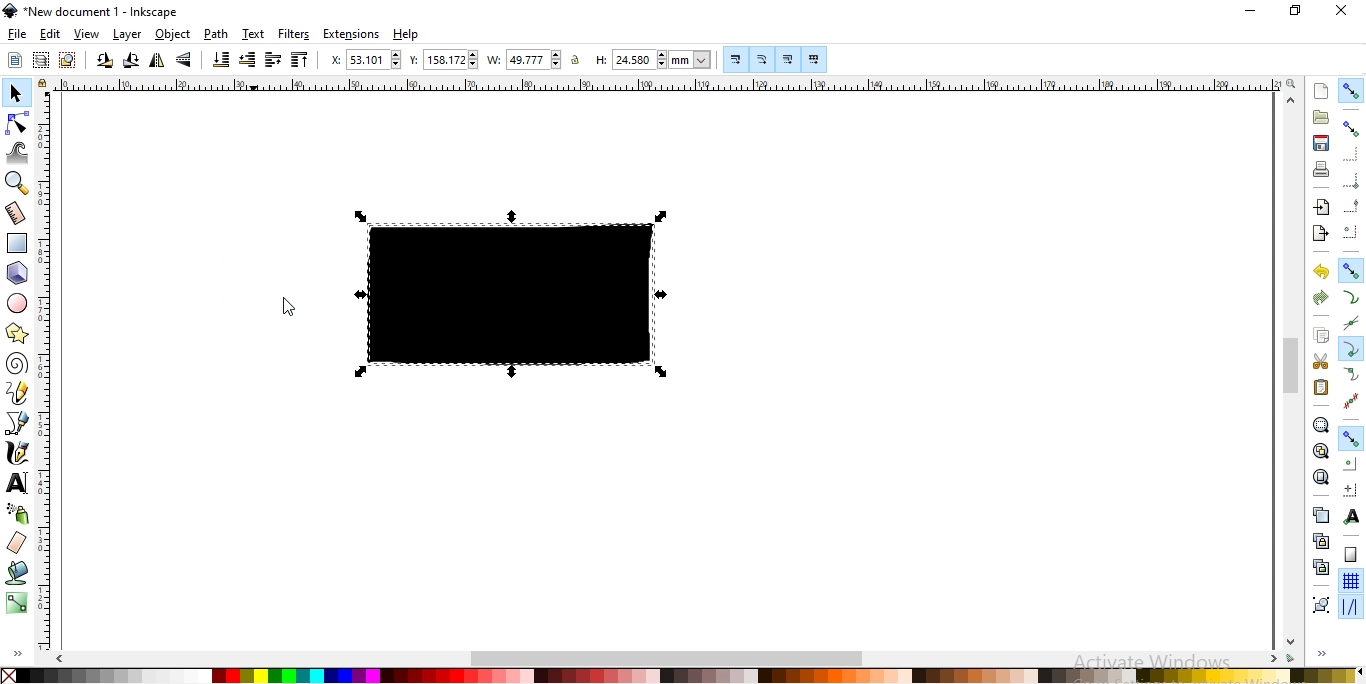 Image resolution: width=1366 pixels, height=684 pixels. Describe the element at coordinates (254, 32) in the screenshot. I see `text` at that location.